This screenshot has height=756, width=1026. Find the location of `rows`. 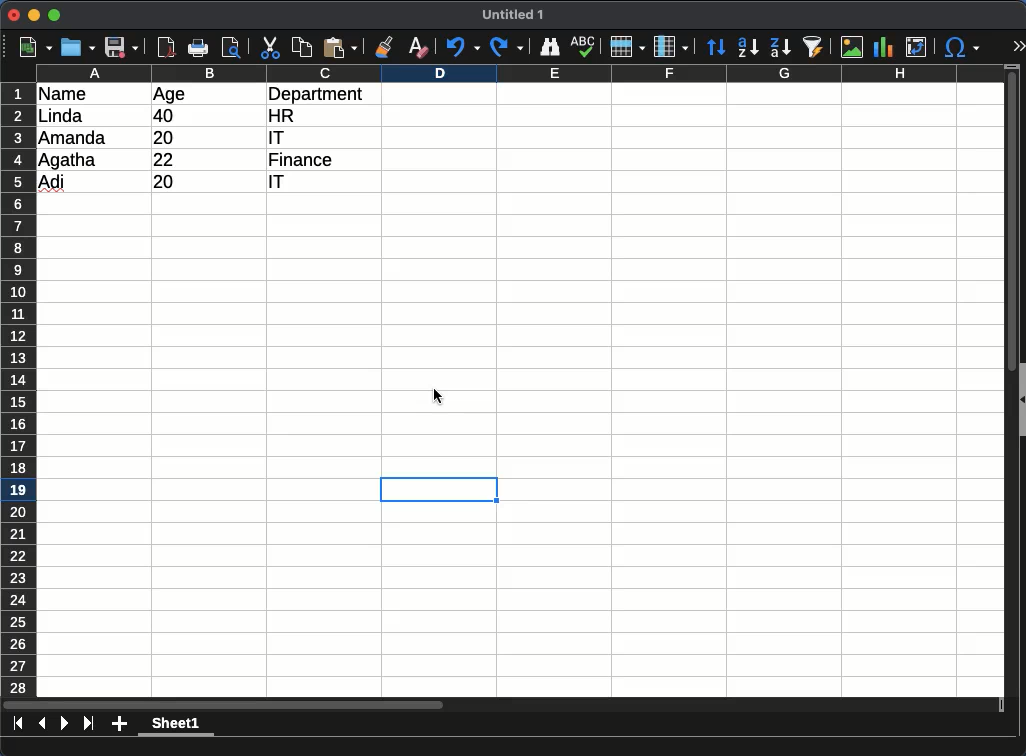

rows is located at coordinates (18, 390).